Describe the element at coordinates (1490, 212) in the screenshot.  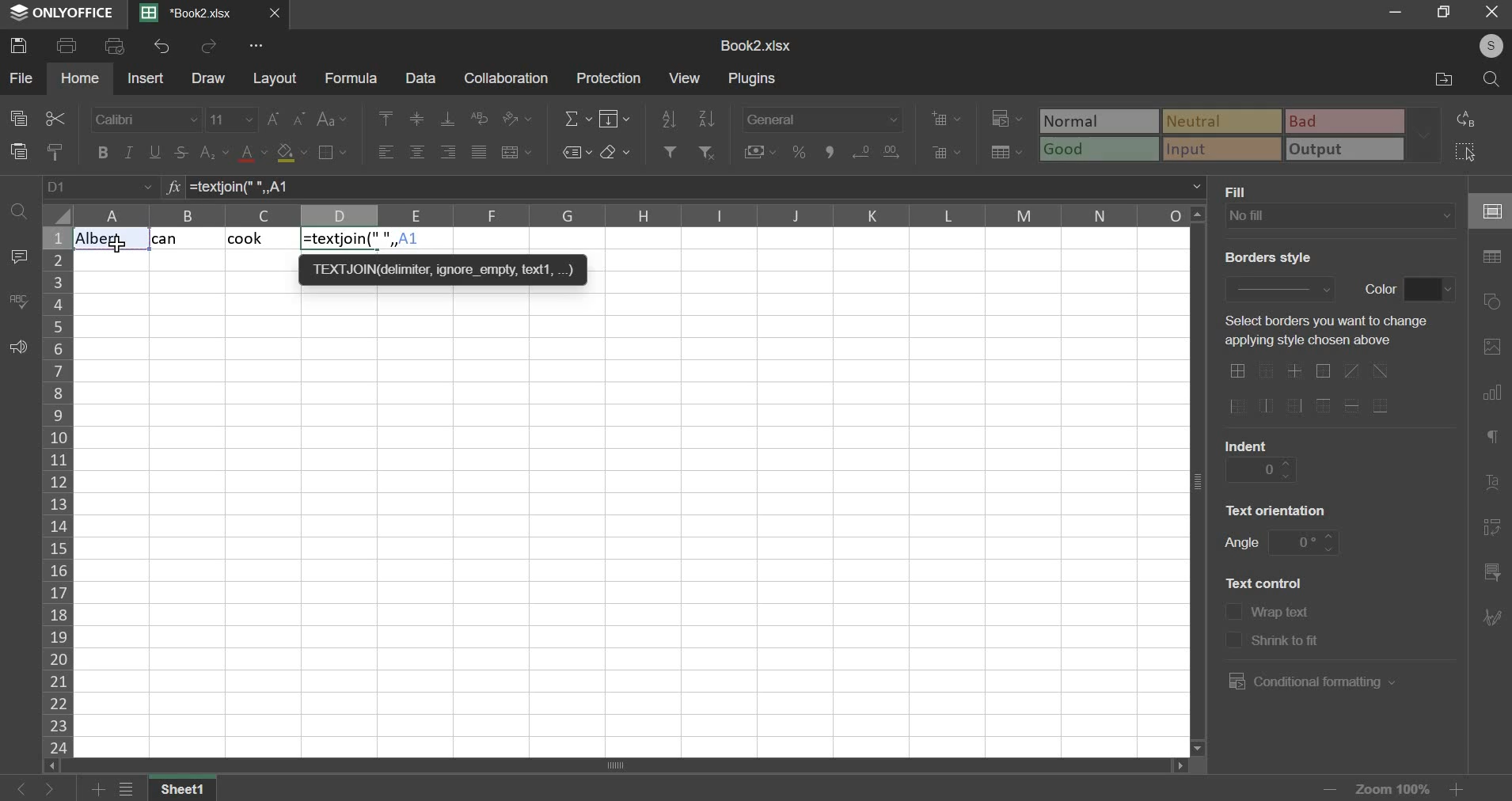
I see `cell` at that location.